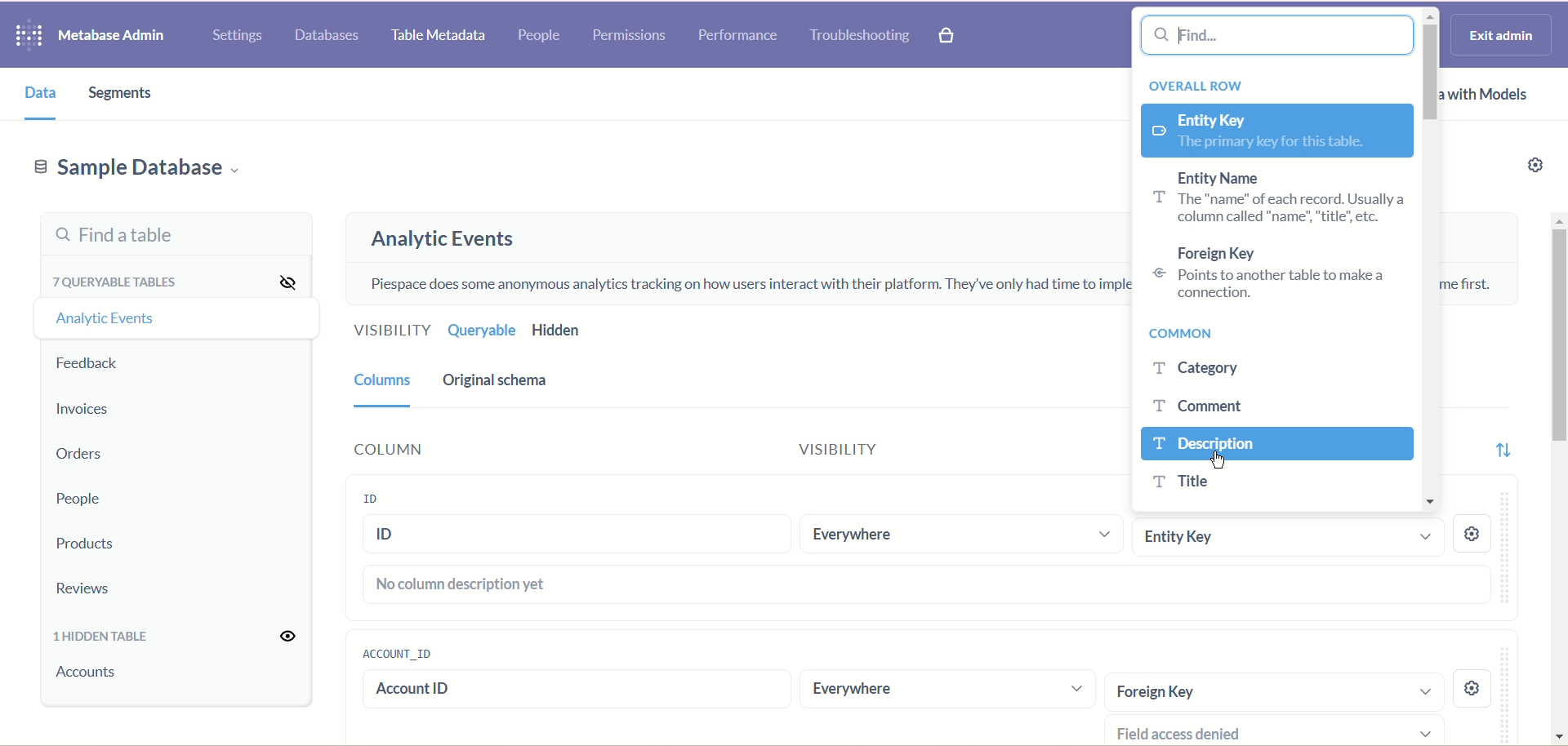  I want to click on column, so click(385, 446).